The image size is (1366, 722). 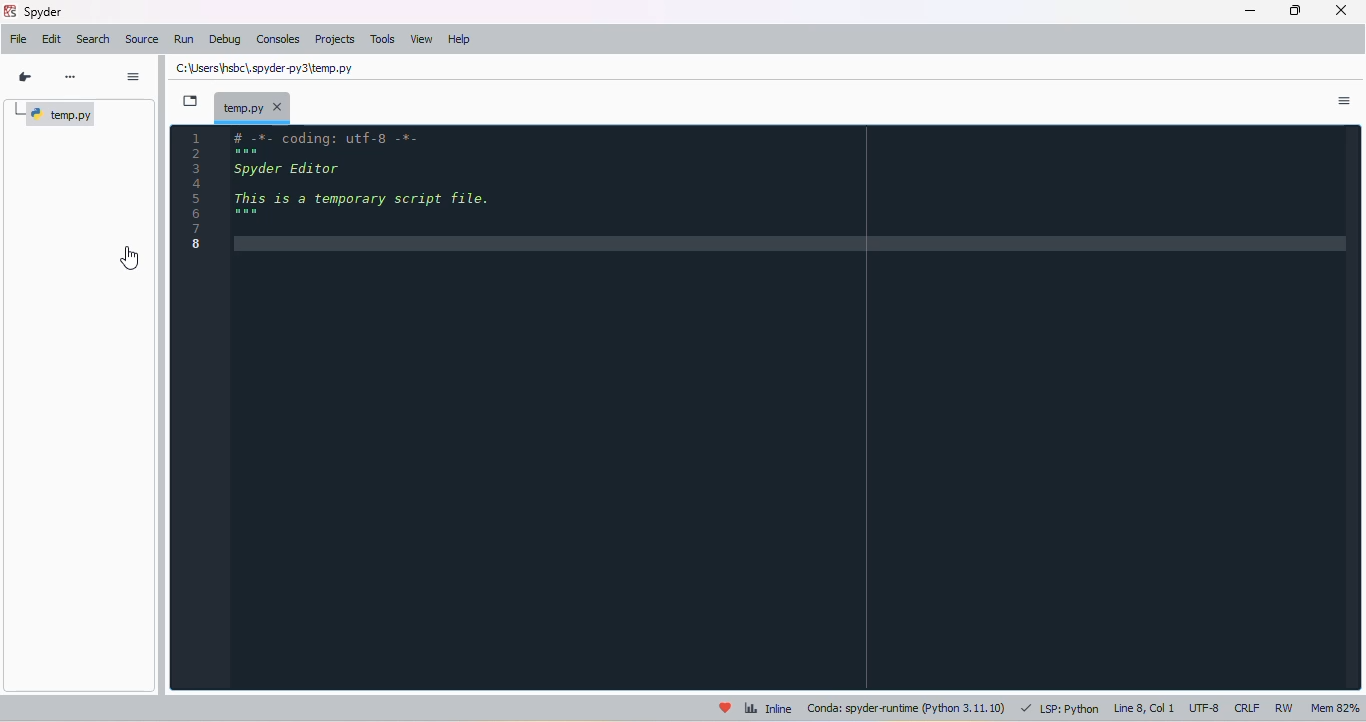 I want to click on CRLF, so click(x=1247, y=709).